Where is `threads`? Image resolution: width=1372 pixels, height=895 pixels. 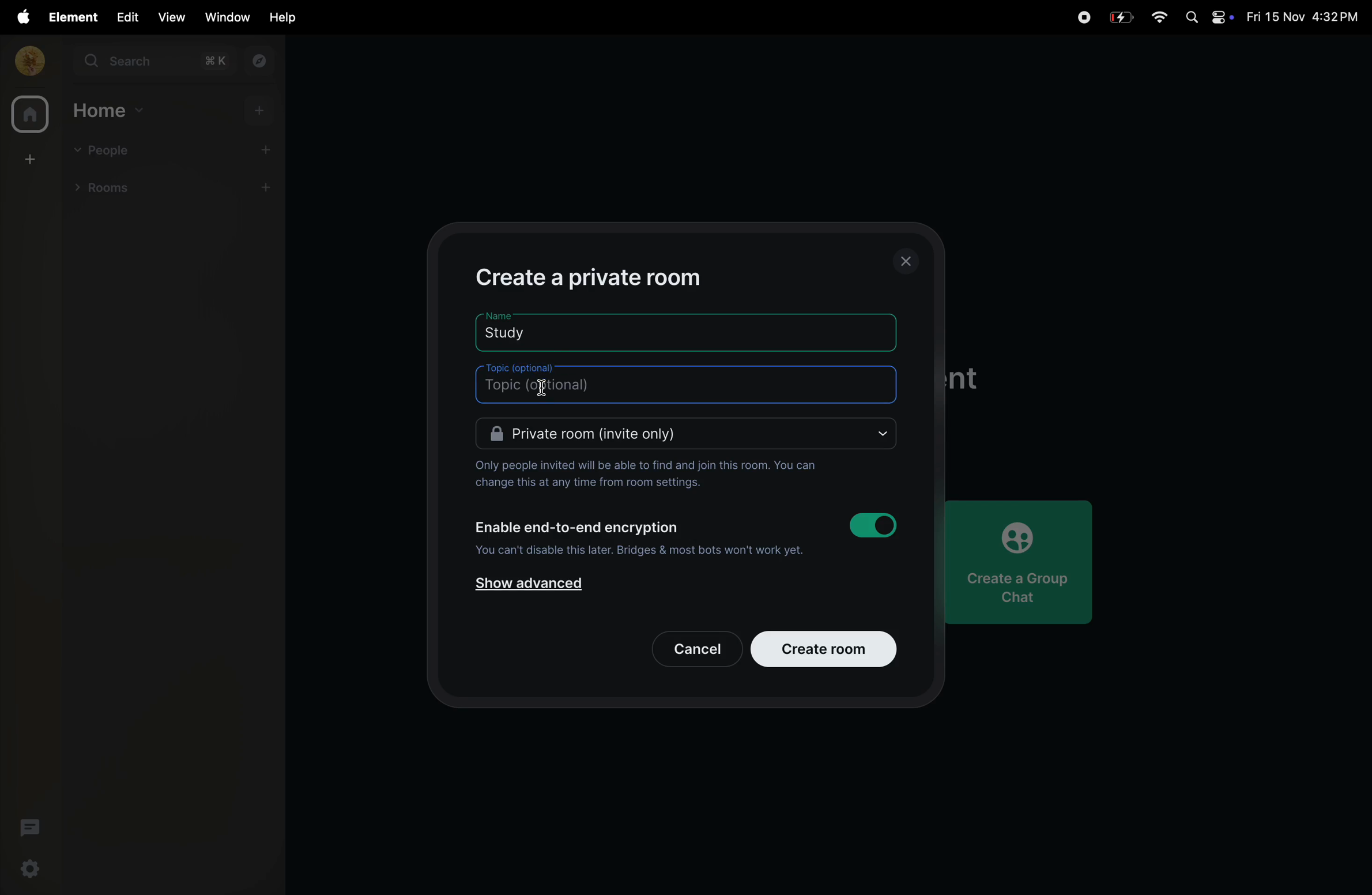 threads is located at coordinates (28, 827).